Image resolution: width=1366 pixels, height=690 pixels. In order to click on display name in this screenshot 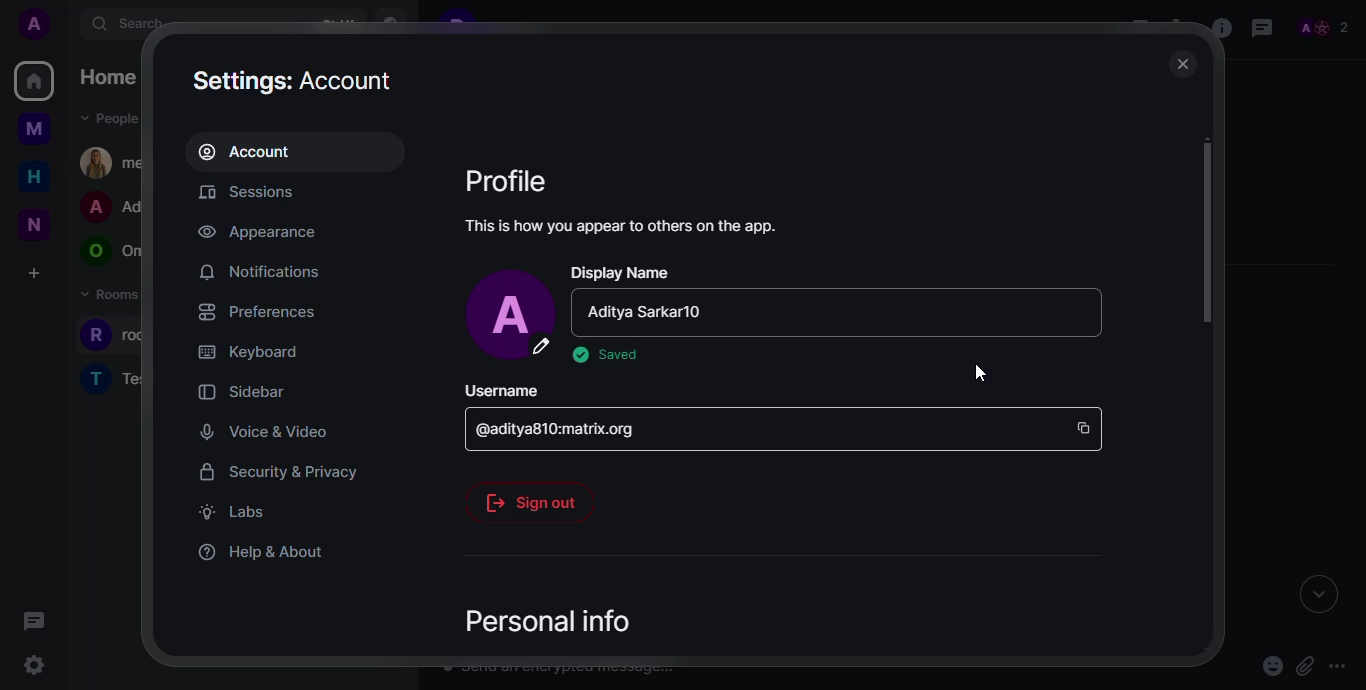, I will do `click(622, 272)`.